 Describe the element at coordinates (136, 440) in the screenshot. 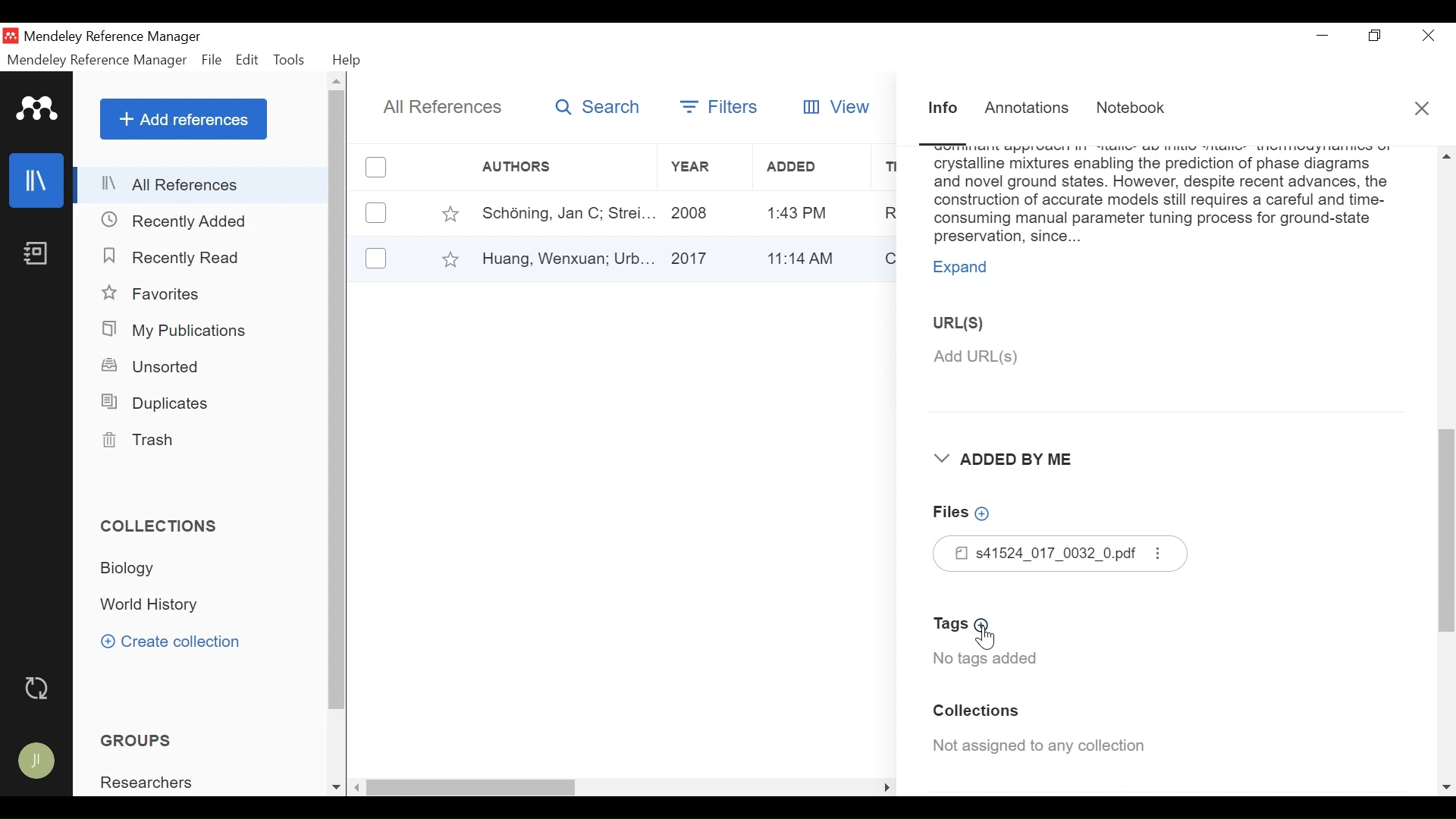

I see `Trash` at that location.